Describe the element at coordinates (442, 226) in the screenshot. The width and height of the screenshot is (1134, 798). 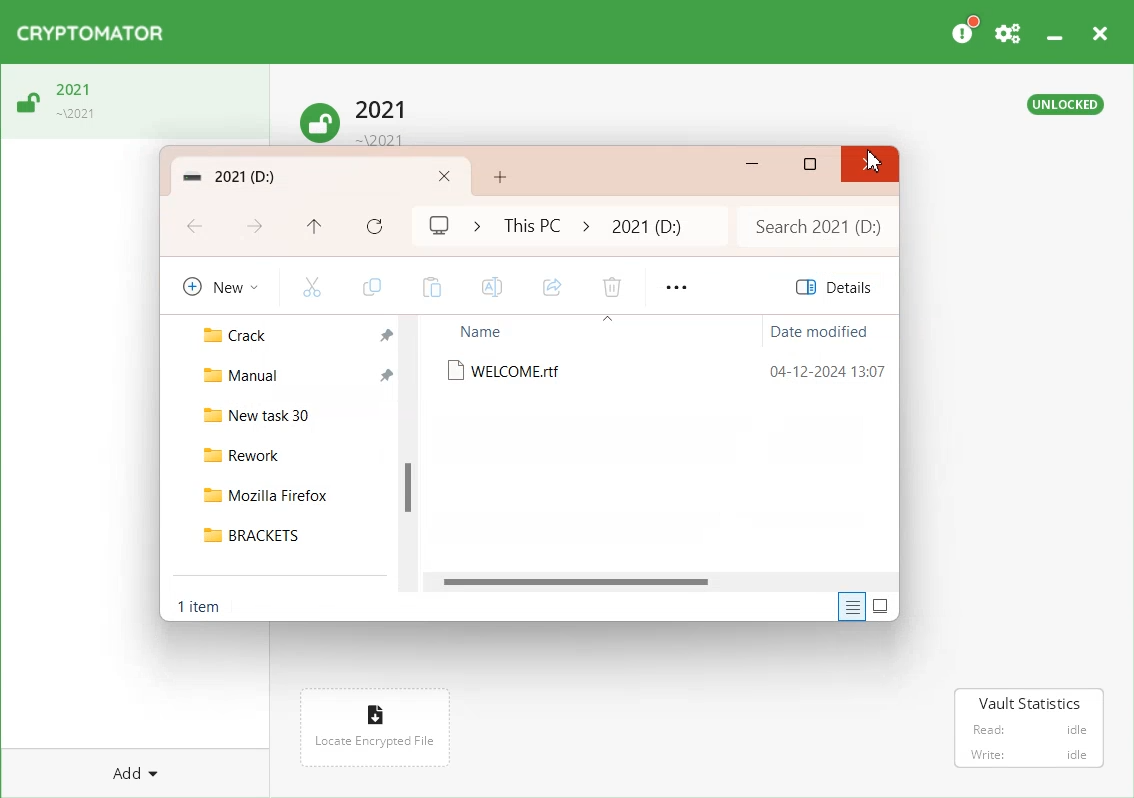
I see `My computer` at that location.